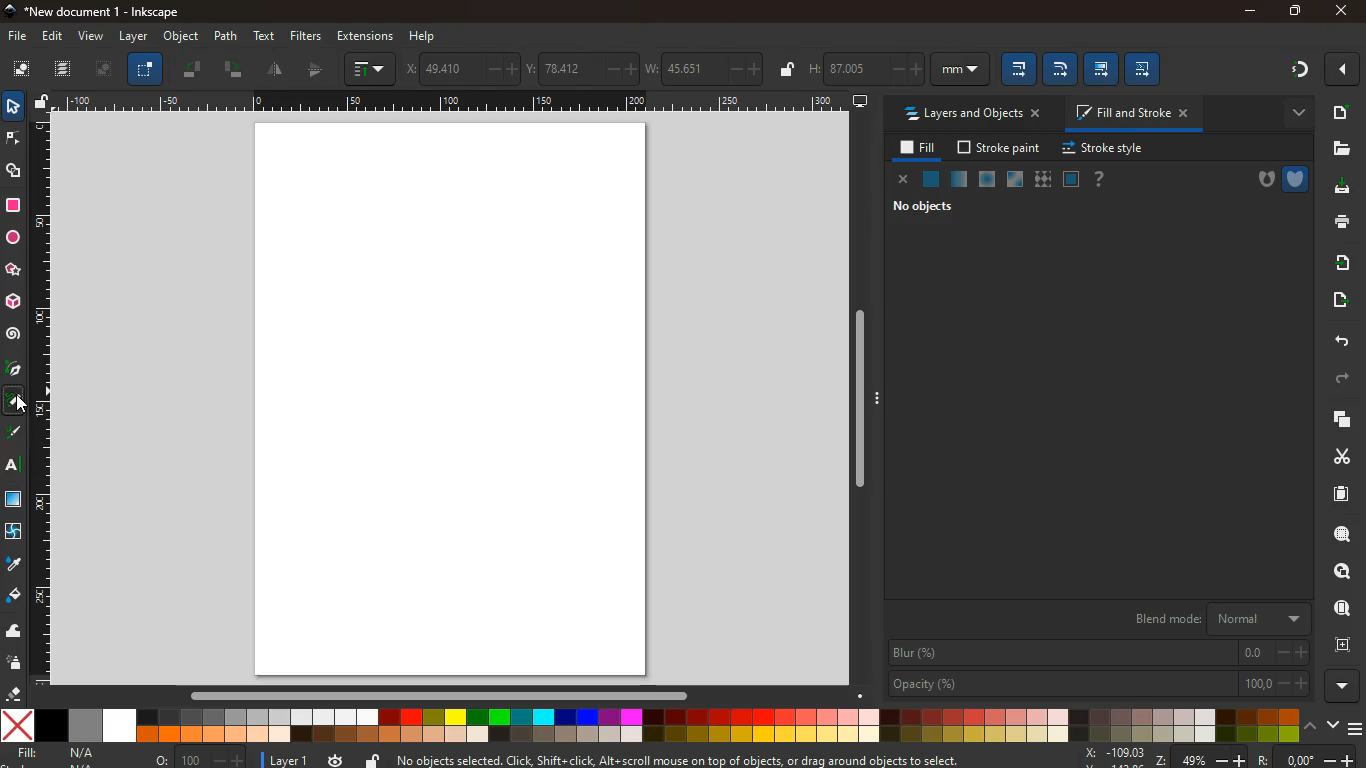  What do you see at coordinates (1135, 112) in the screenshot?
I see `fill and stroke` at bounding box center [1135, 112].